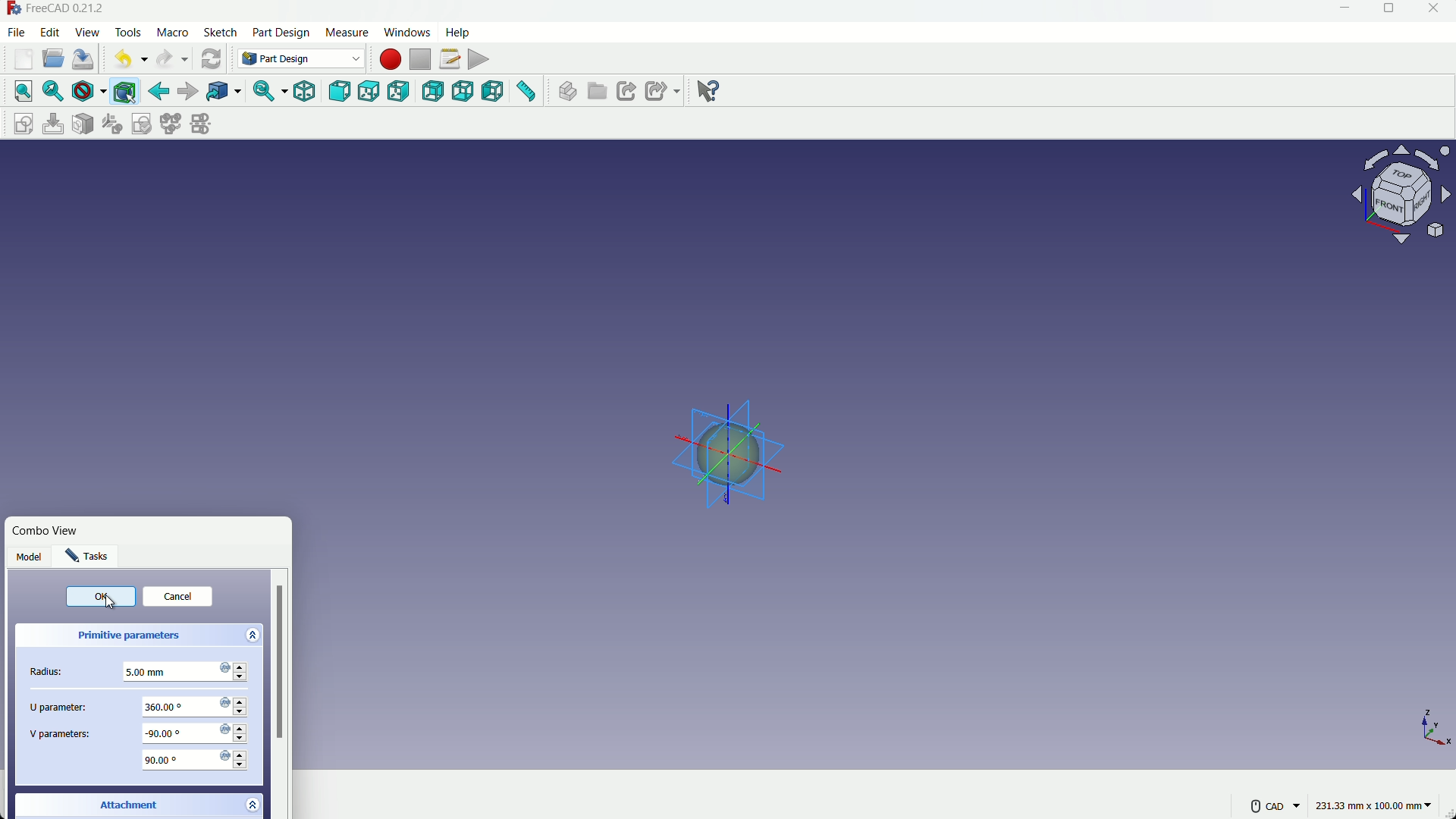 The height and width of the screenshot is (819, 1456). What do you see at coordinates (211, 59) in the screenshot?
I see `refresh` at bounding box center [211, 59].